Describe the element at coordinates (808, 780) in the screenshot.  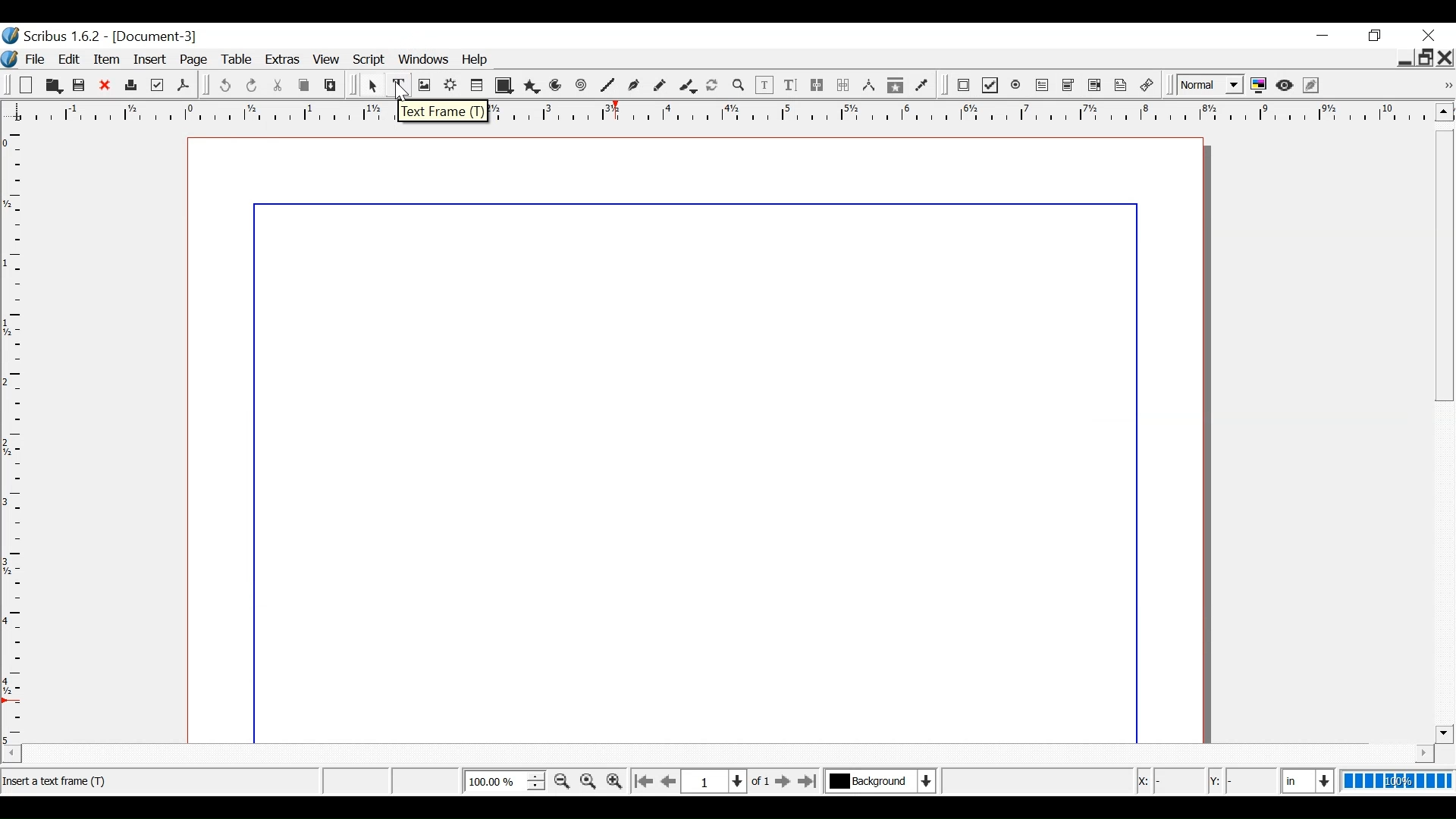
I see `Go to the last page` at that location.